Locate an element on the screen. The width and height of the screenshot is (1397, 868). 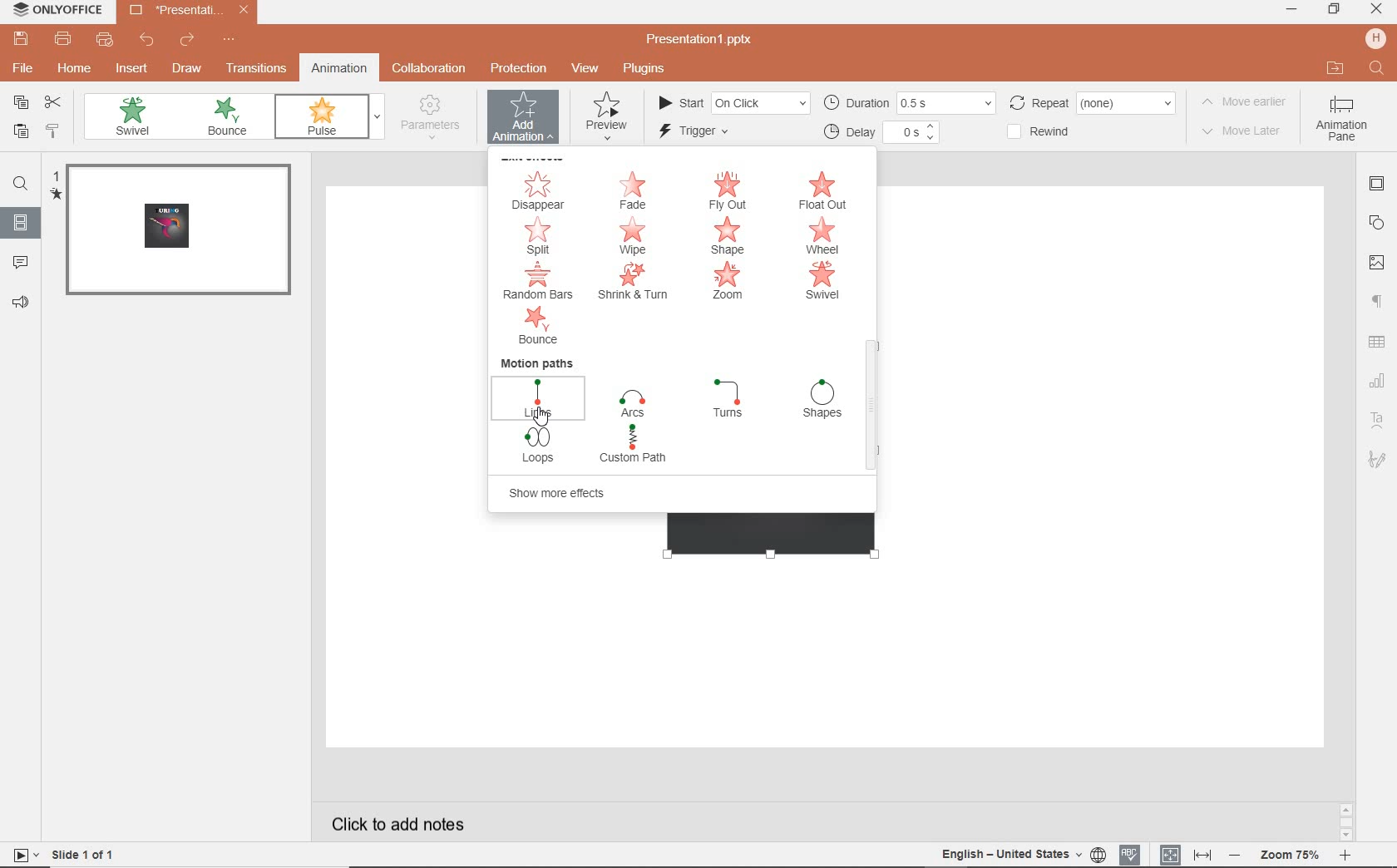
slides is located at coordinates (20, 225).